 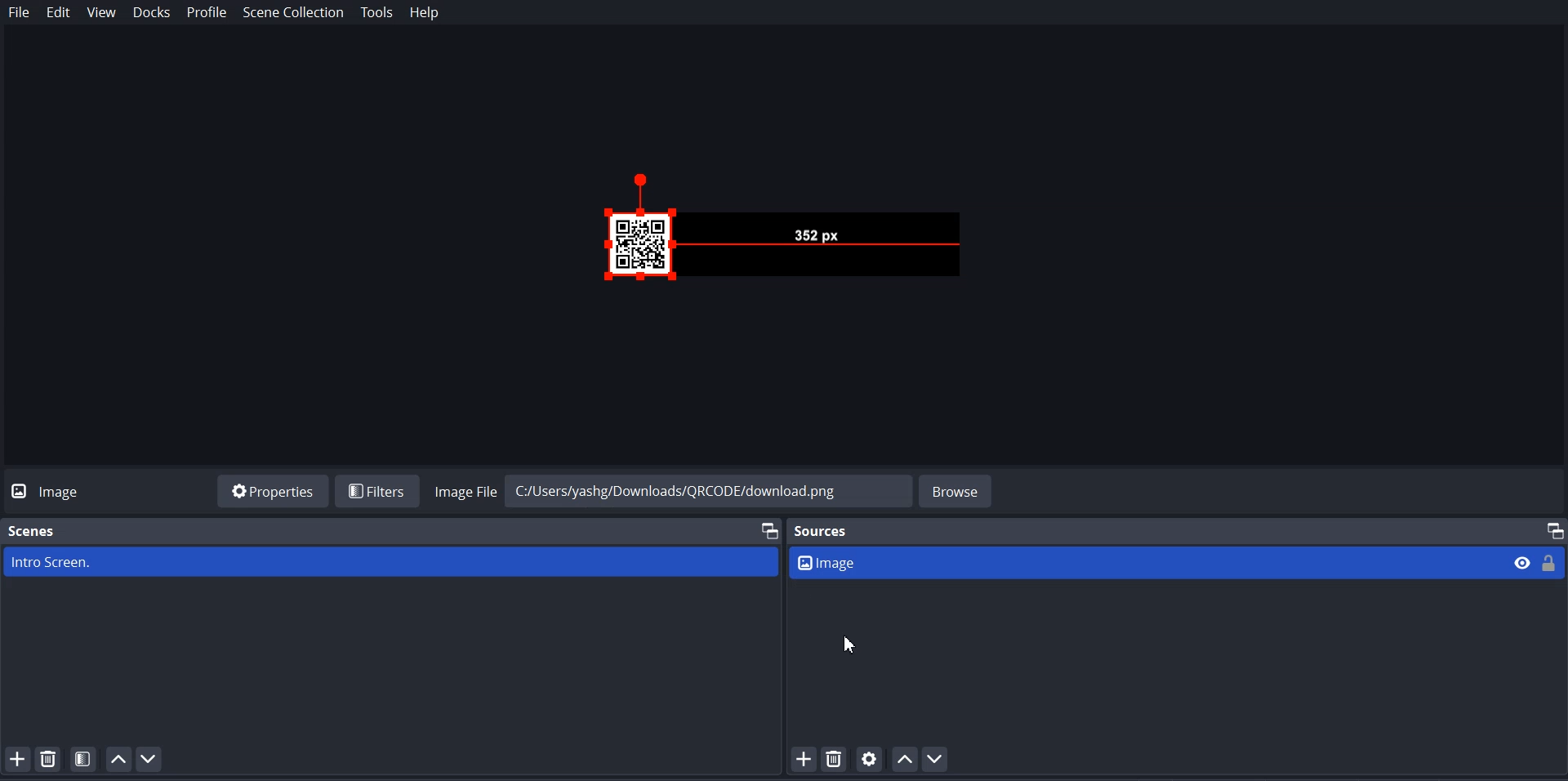 What do you see at coordinates (803, 759) in the screenshot?
I see `Add Source` at bounding box center [803, 759].